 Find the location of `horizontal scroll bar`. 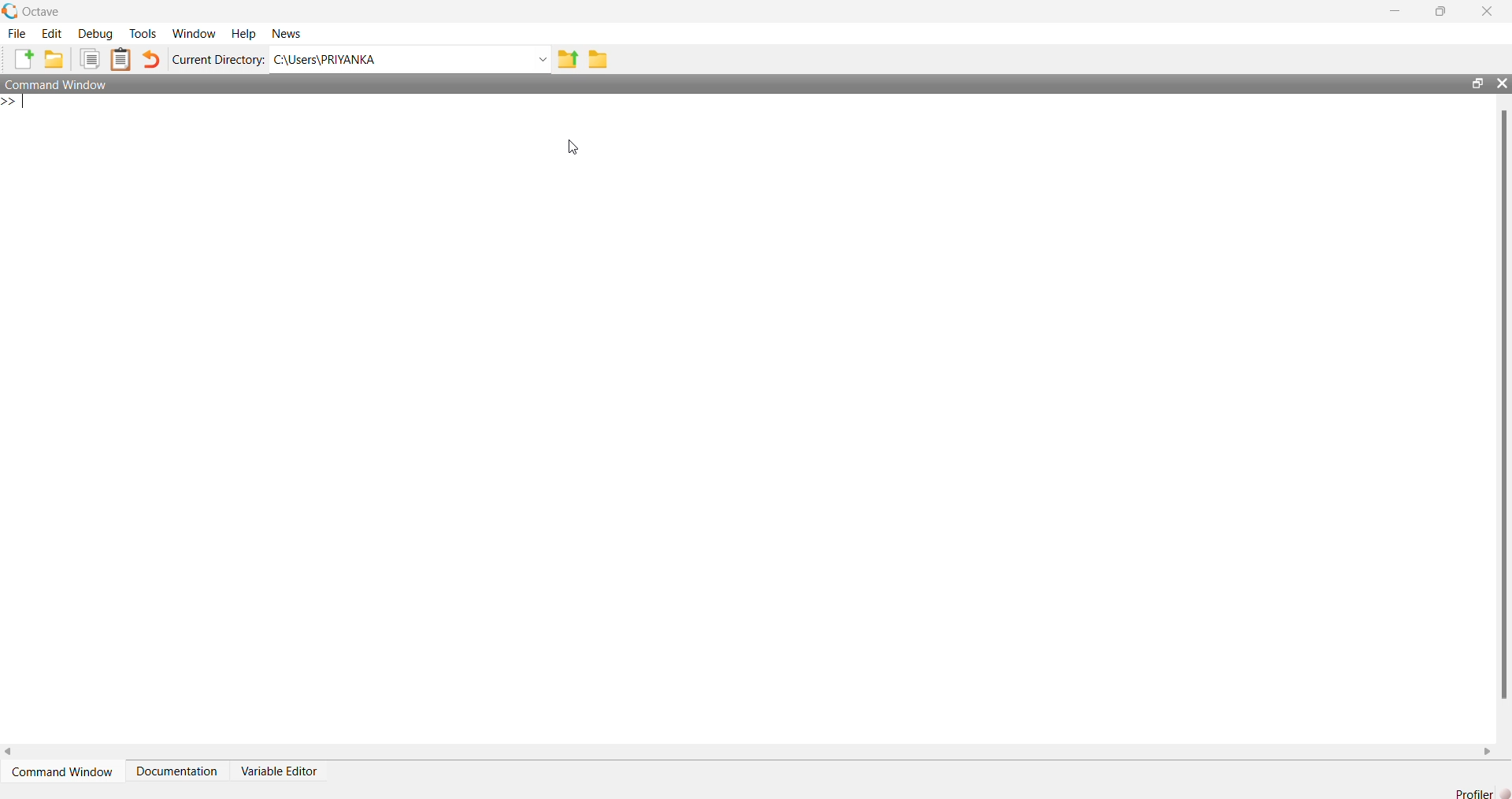

horizontal scroll bar is located at coordinates (750, 752).